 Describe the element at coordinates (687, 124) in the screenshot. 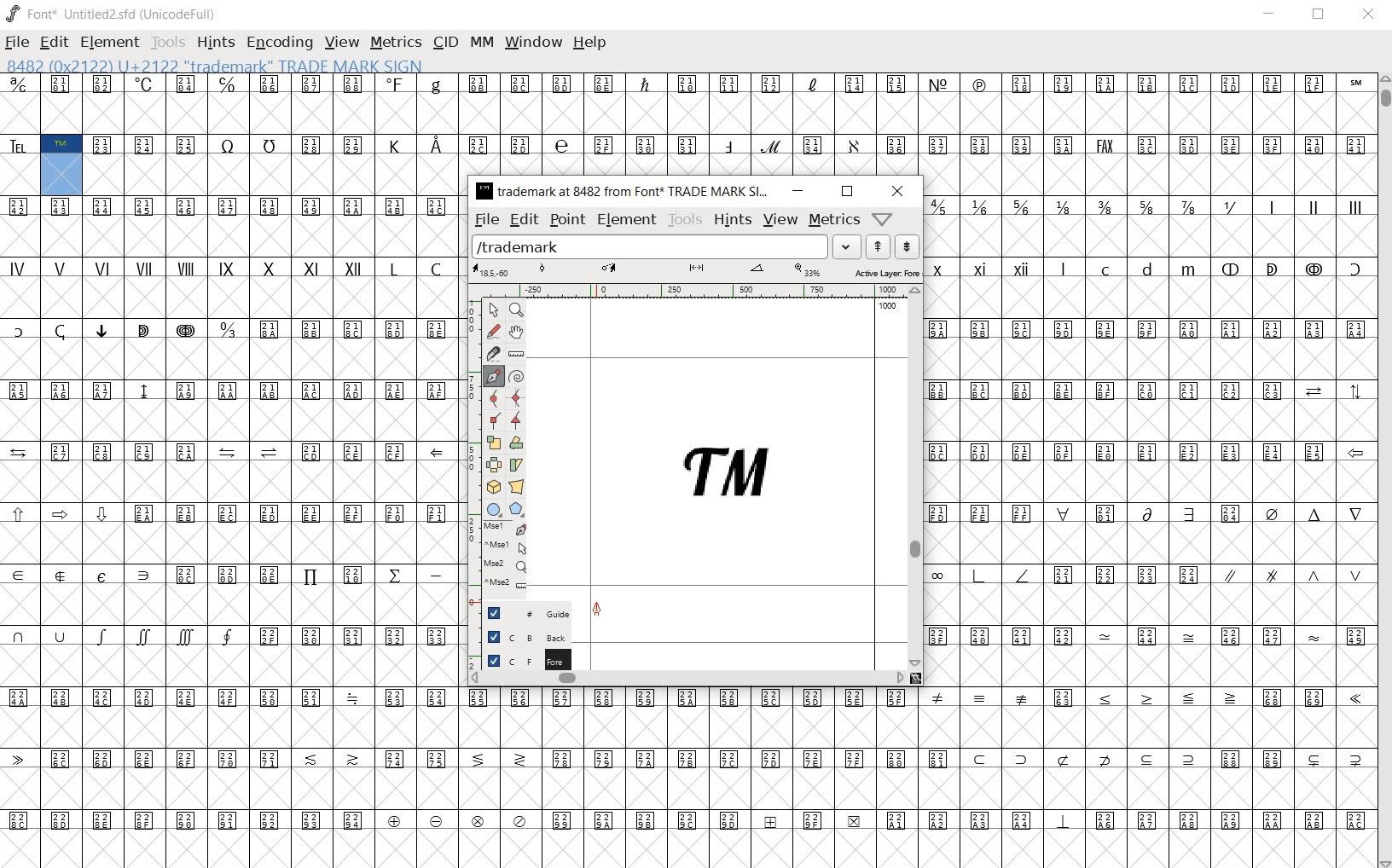

I see `glyph characters` at that location.